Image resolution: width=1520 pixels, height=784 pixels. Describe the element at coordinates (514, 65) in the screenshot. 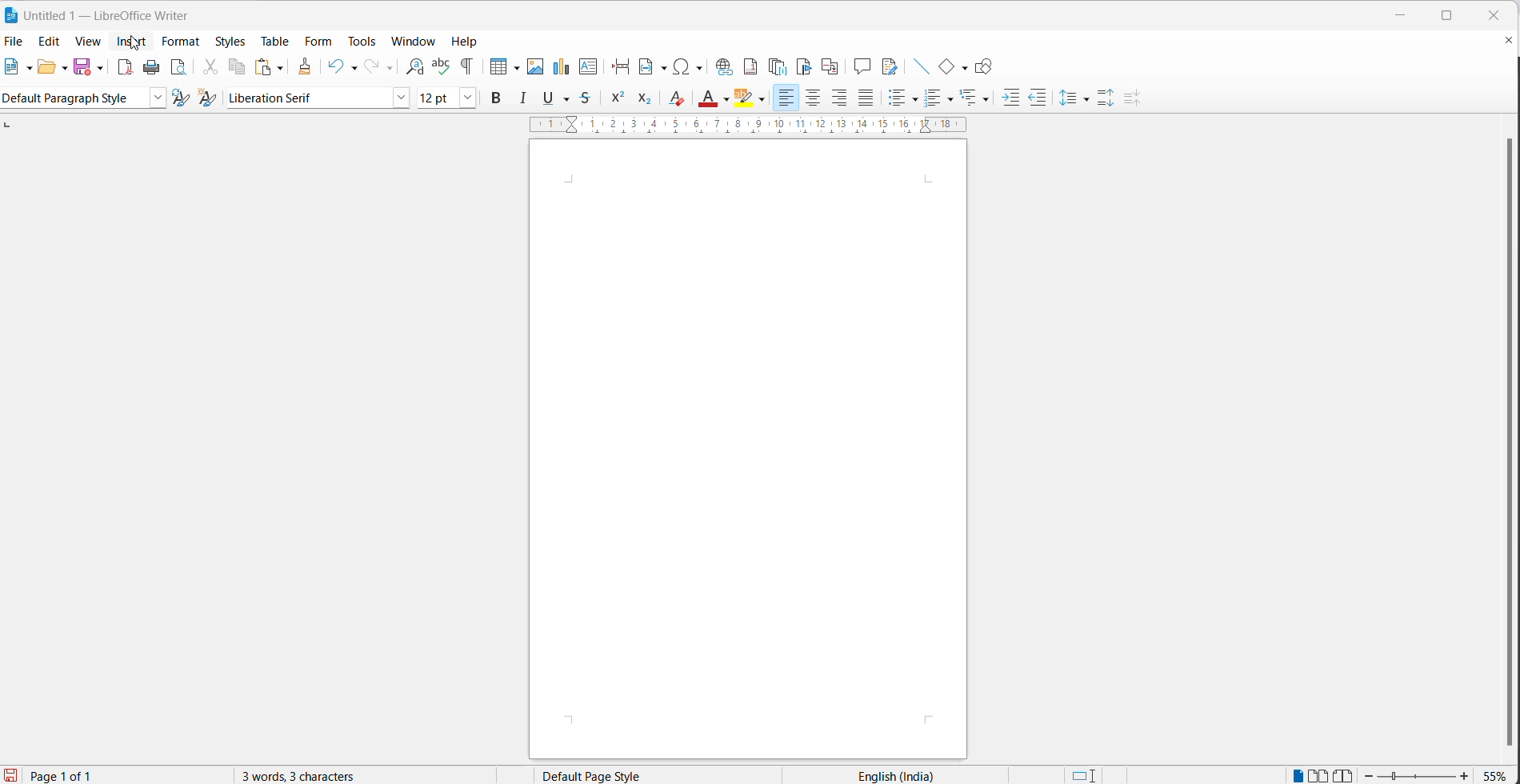

I see `table grid` at that location.